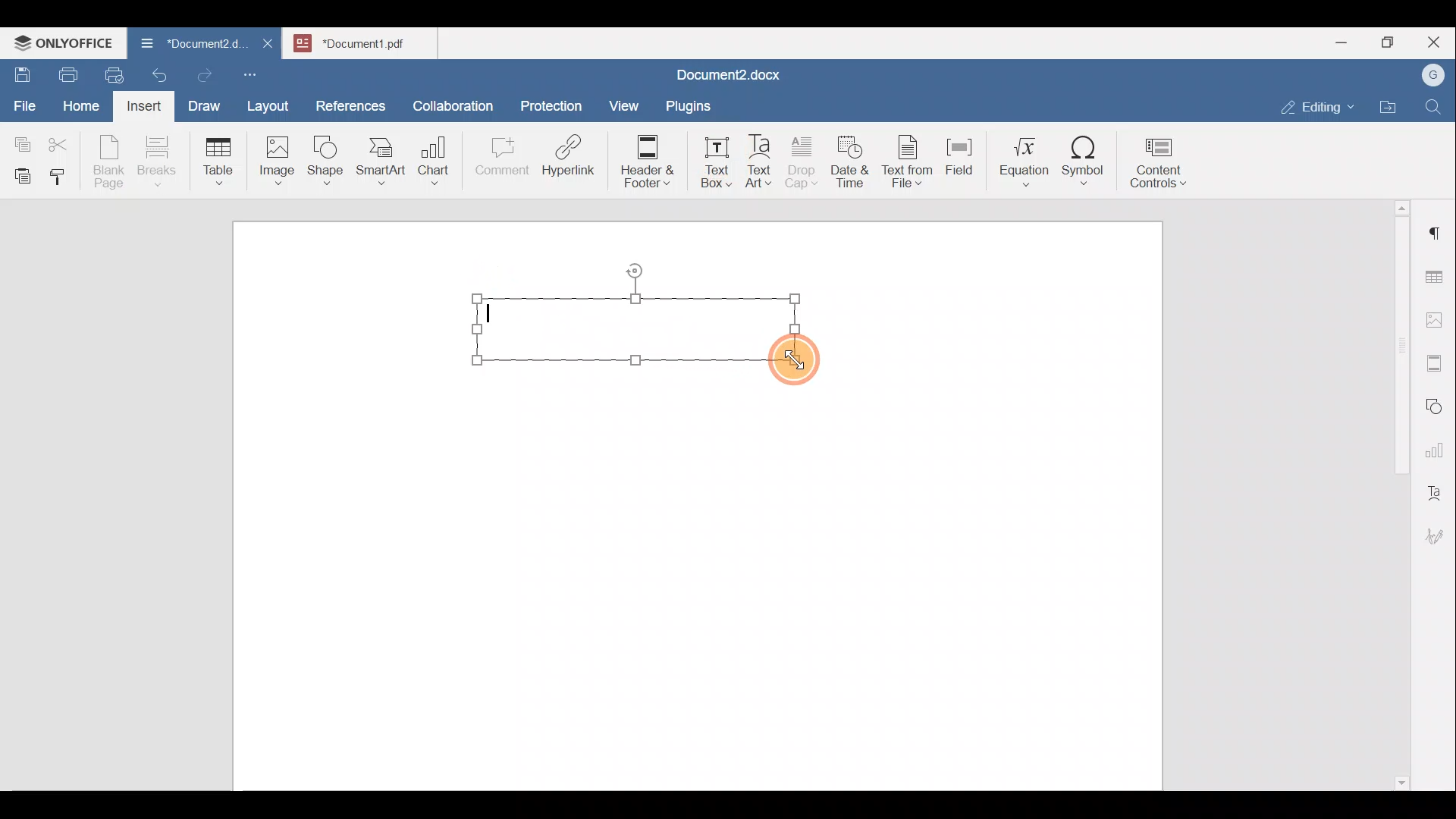 The image size is (1456, 819). What do you see at coordinates (1439, 531) in the screenshot?
I see `Signature settings` at bounding box center [1439, 531].